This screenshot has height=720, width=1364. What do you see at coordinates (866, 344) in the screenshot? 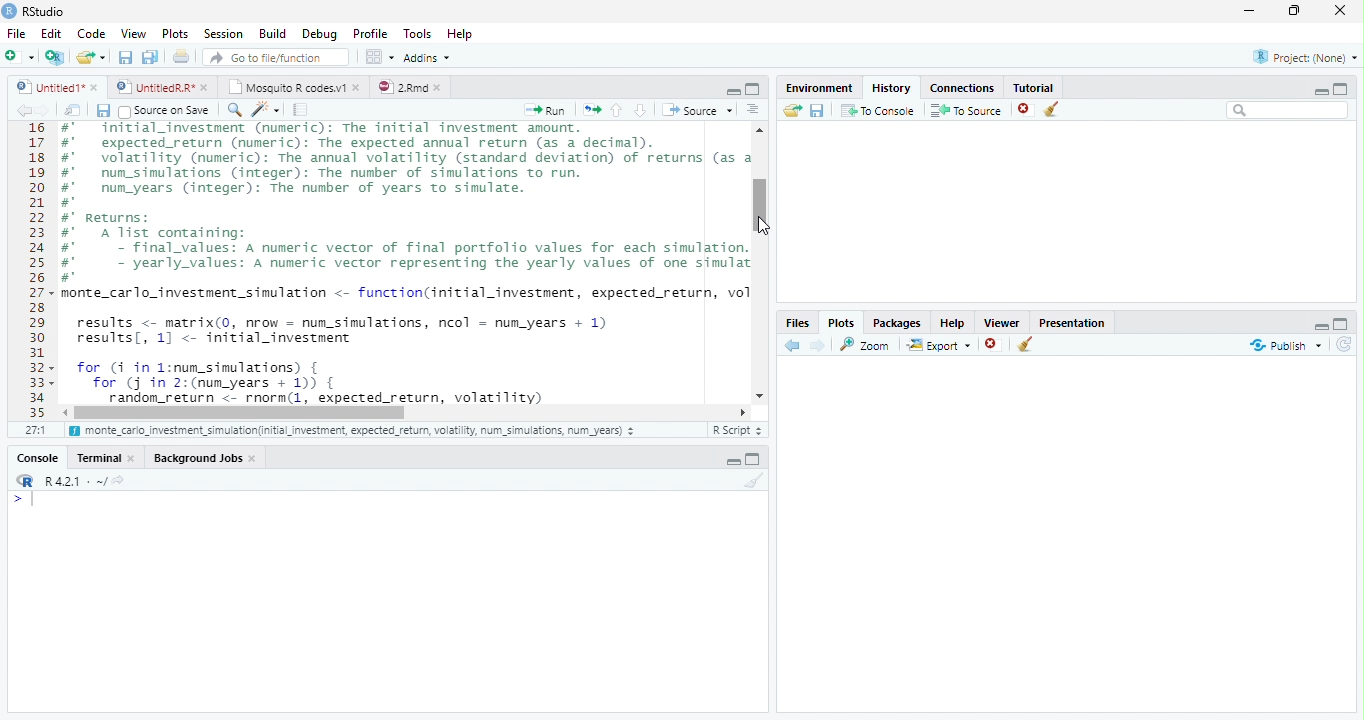
I see `Zoom` at bounding box center [866, 344].